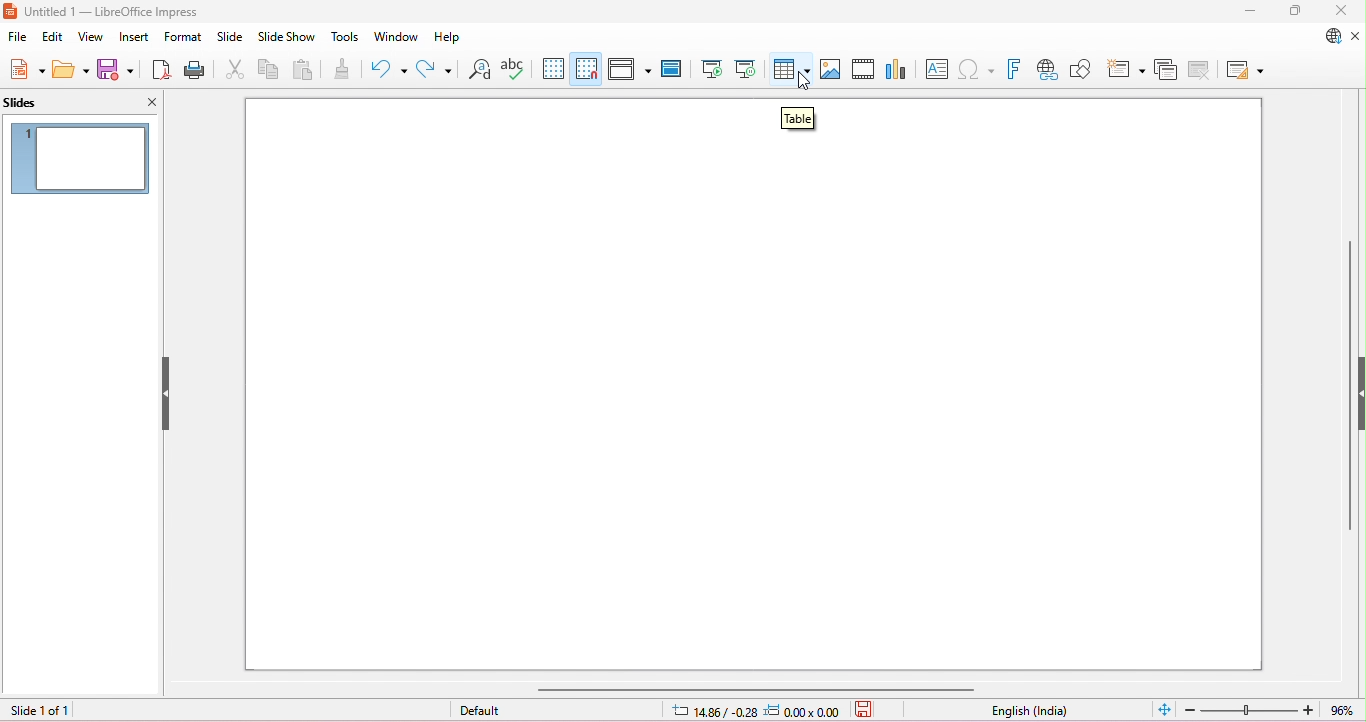  What do you see at coordinates (514, 69) in the screenshot?
I see `spelling` at bounding box center [514, 69].